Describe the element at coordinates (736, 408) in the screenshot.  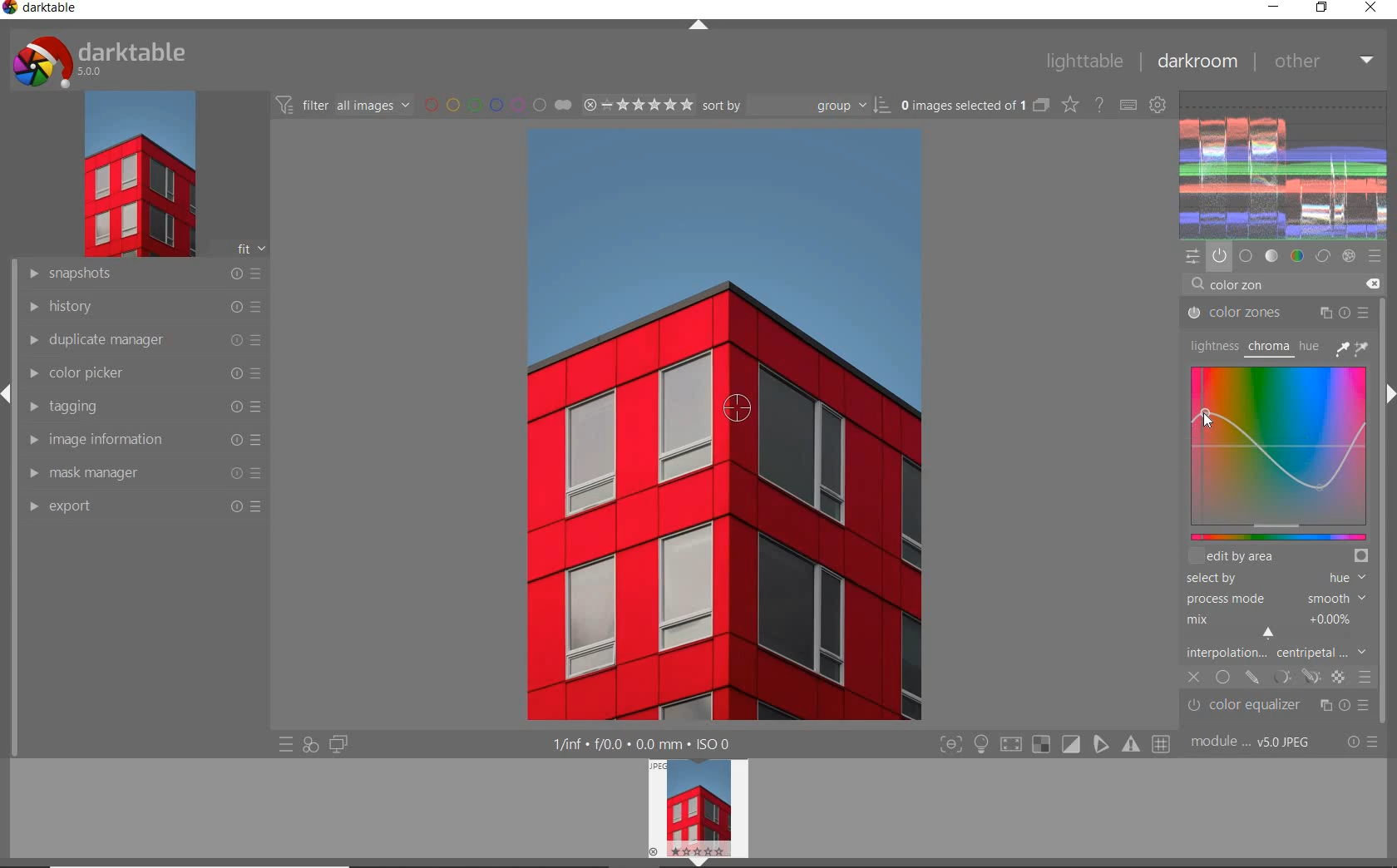
I see `COLOR PICKER TOOL POSITION` at that location.